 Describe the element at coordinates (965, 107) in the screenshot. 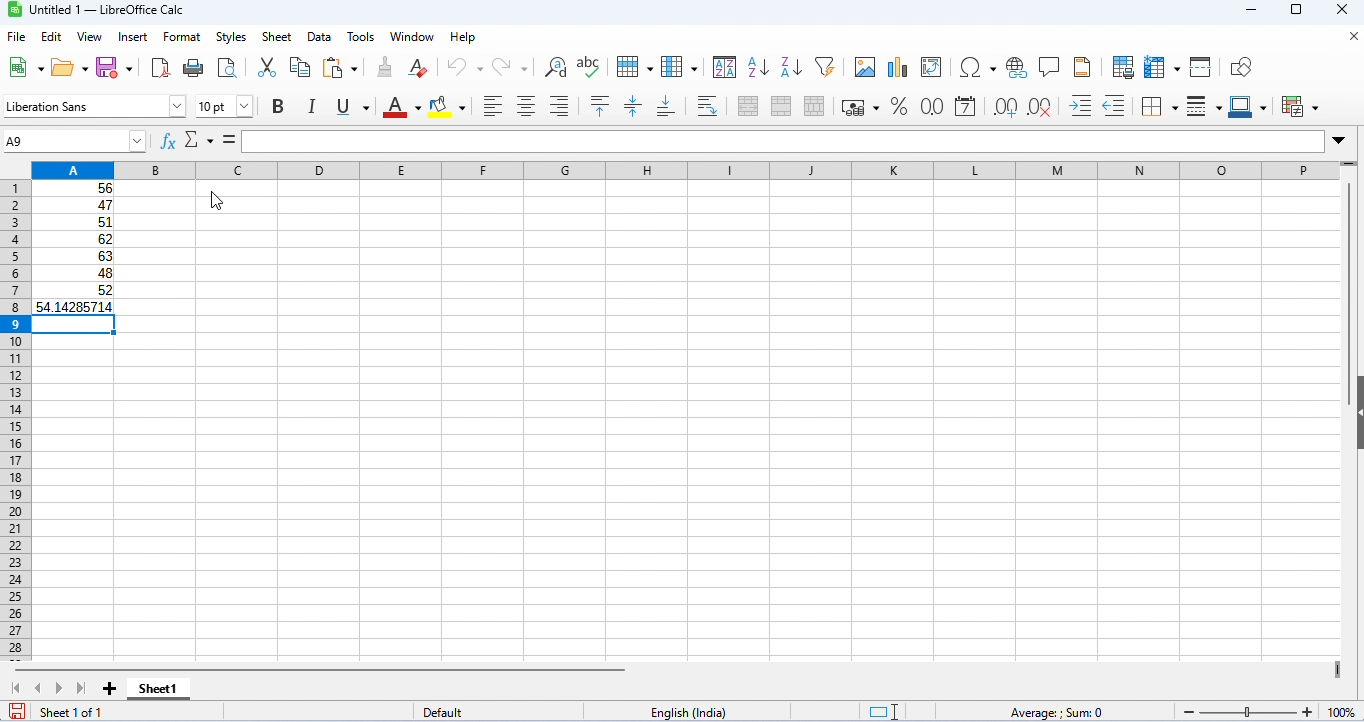

I see `format as date` at that location.